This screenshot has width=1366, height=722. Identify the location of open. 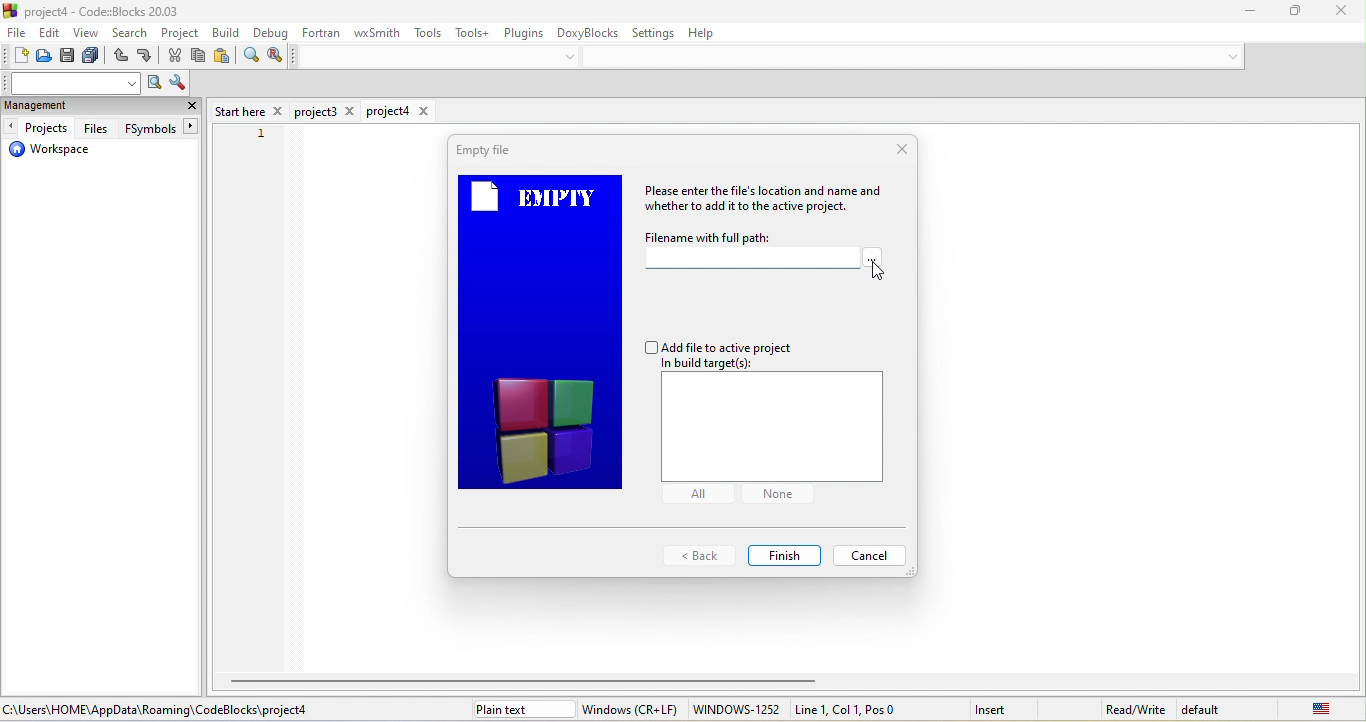
(45, 58).